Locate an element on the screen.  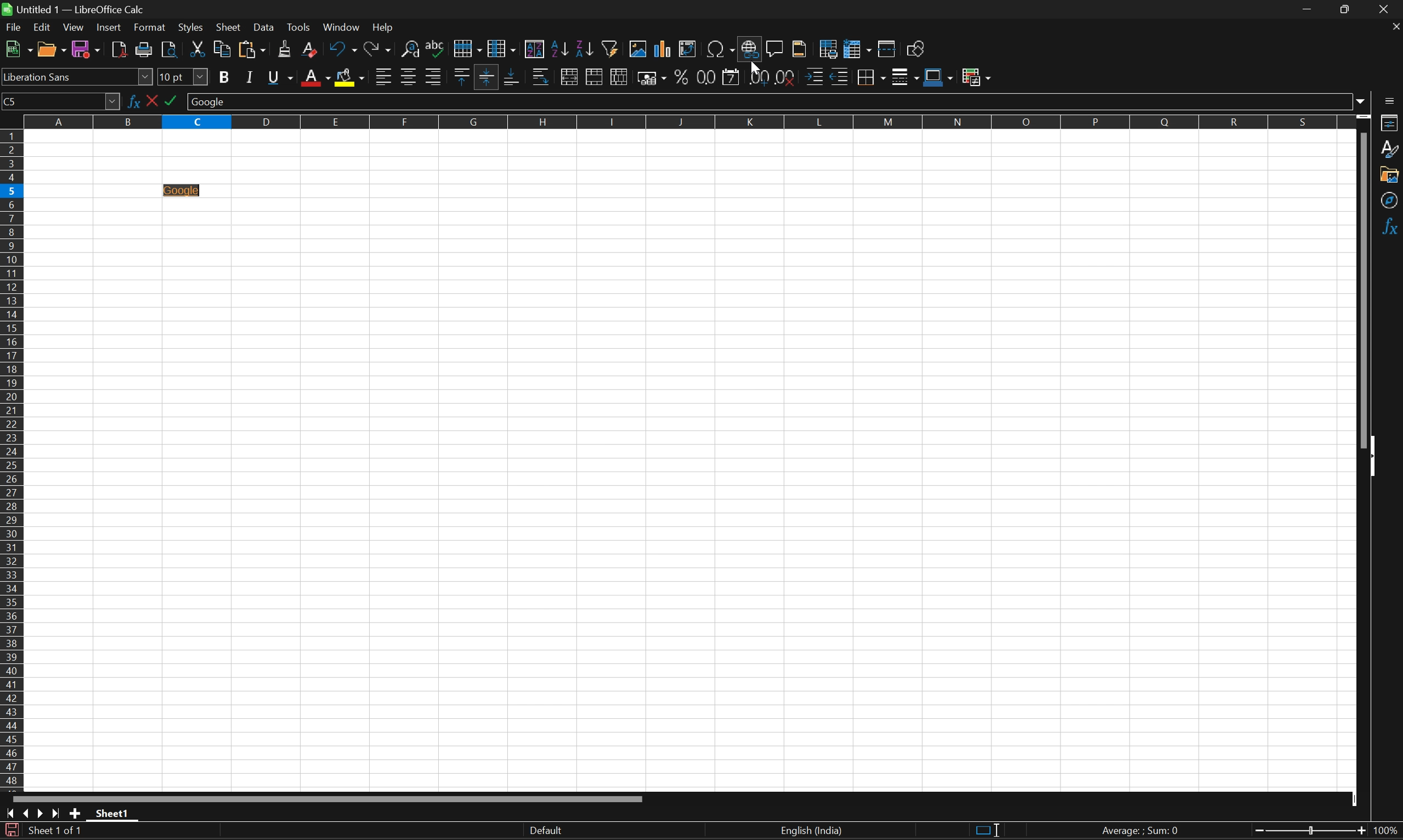
Paste is located at coordinates (251, 50).